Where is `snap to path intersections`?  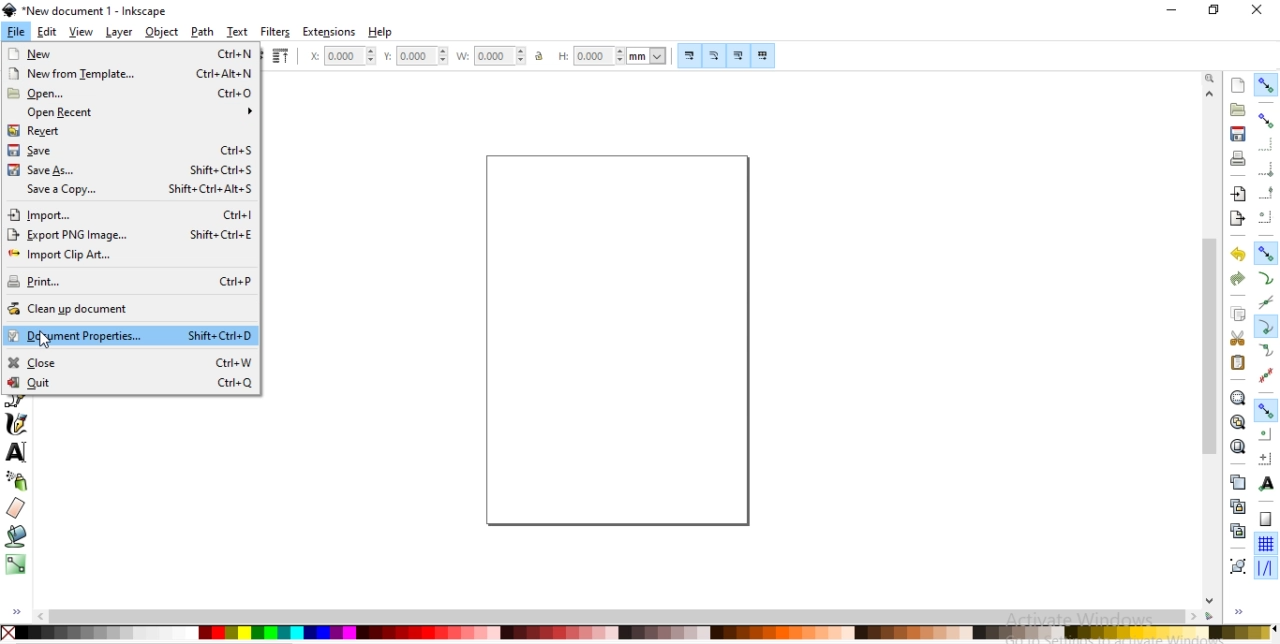 snap to path intersections is located at coordinates (1265, 303).